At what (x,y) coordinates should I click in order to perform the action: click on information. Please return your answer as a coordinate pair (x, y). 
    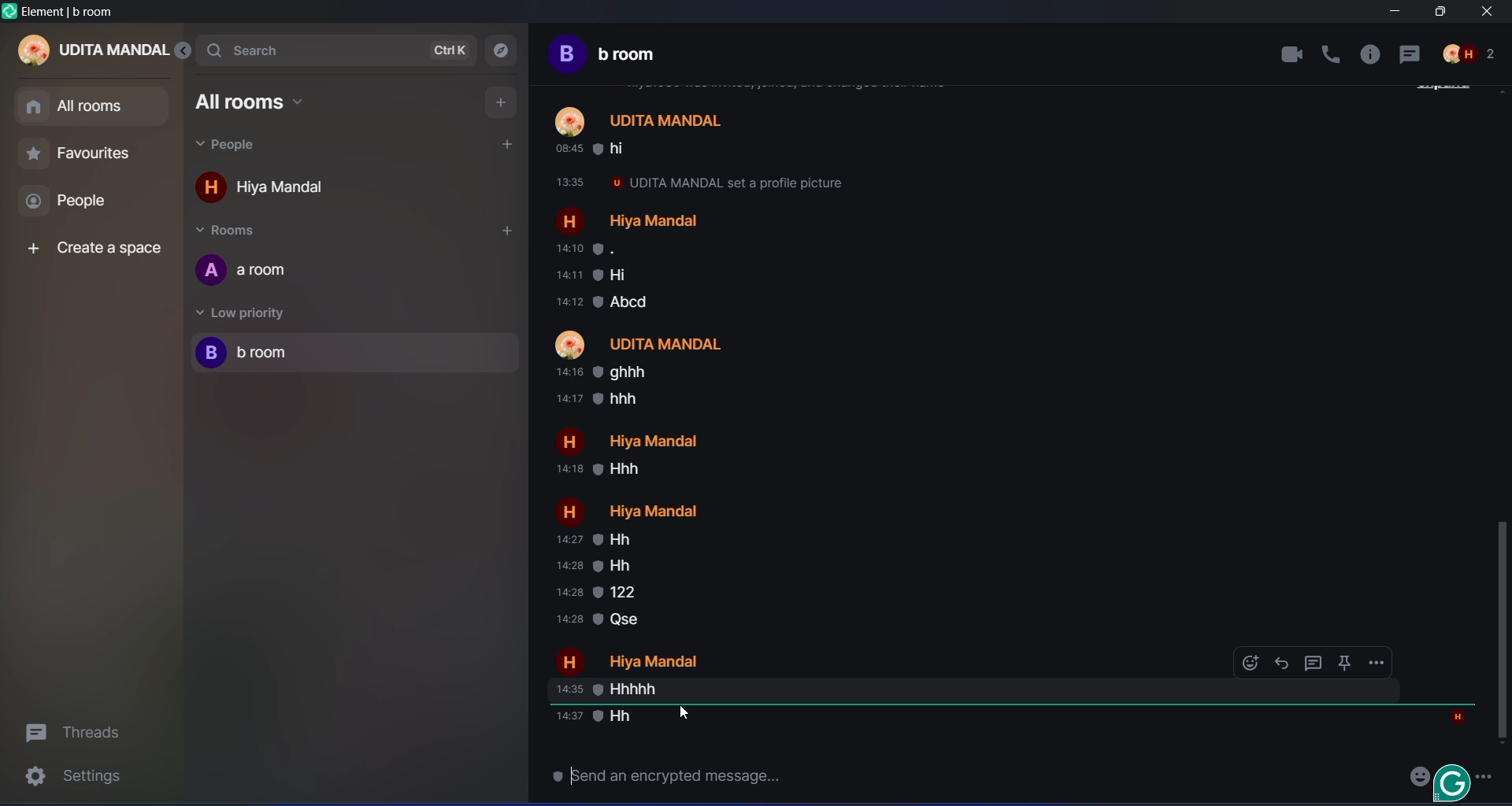
    Looking at the image, I should click on (1370, 57).